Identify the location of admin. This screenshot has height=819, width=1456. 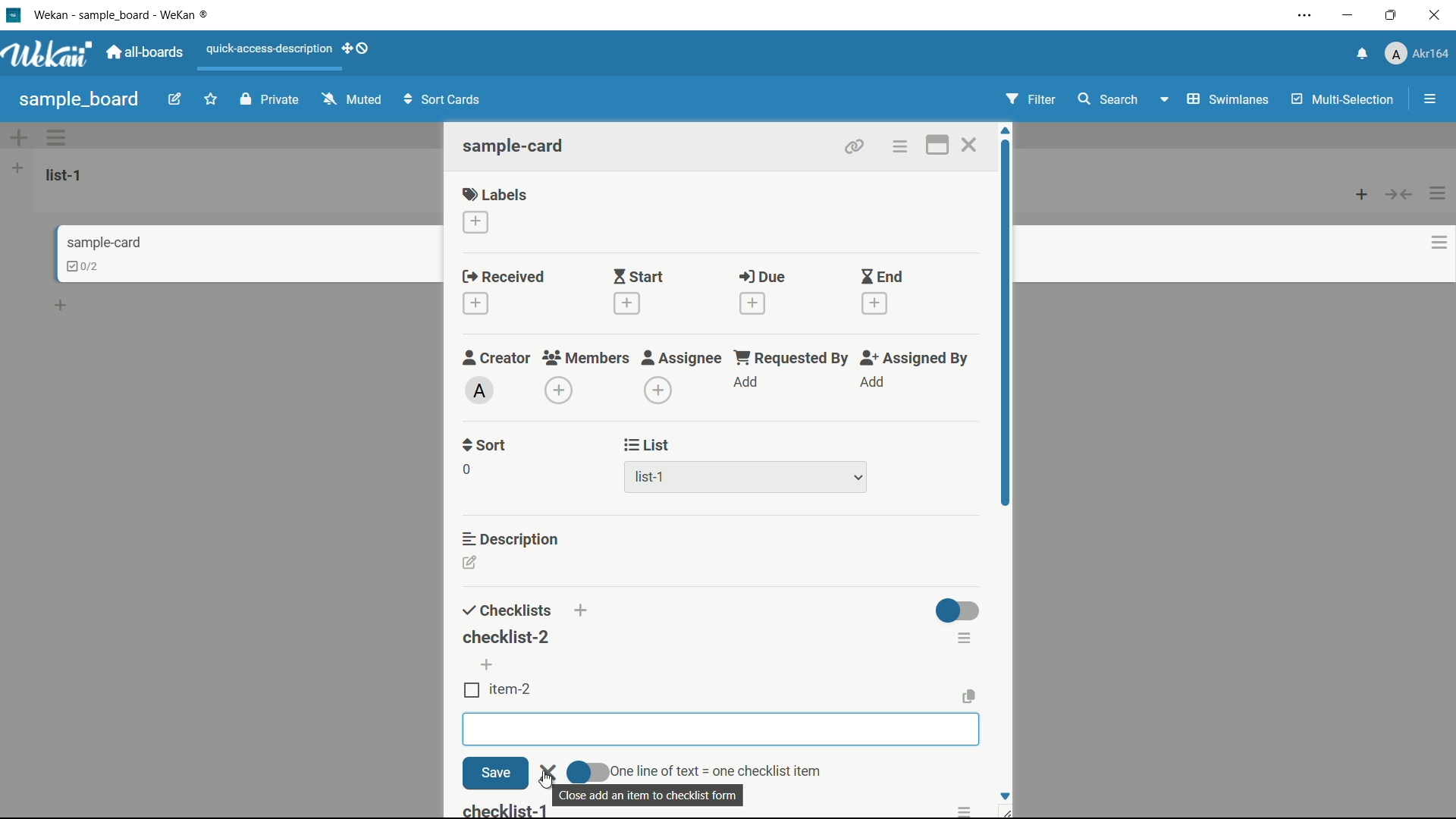
(480, 391).